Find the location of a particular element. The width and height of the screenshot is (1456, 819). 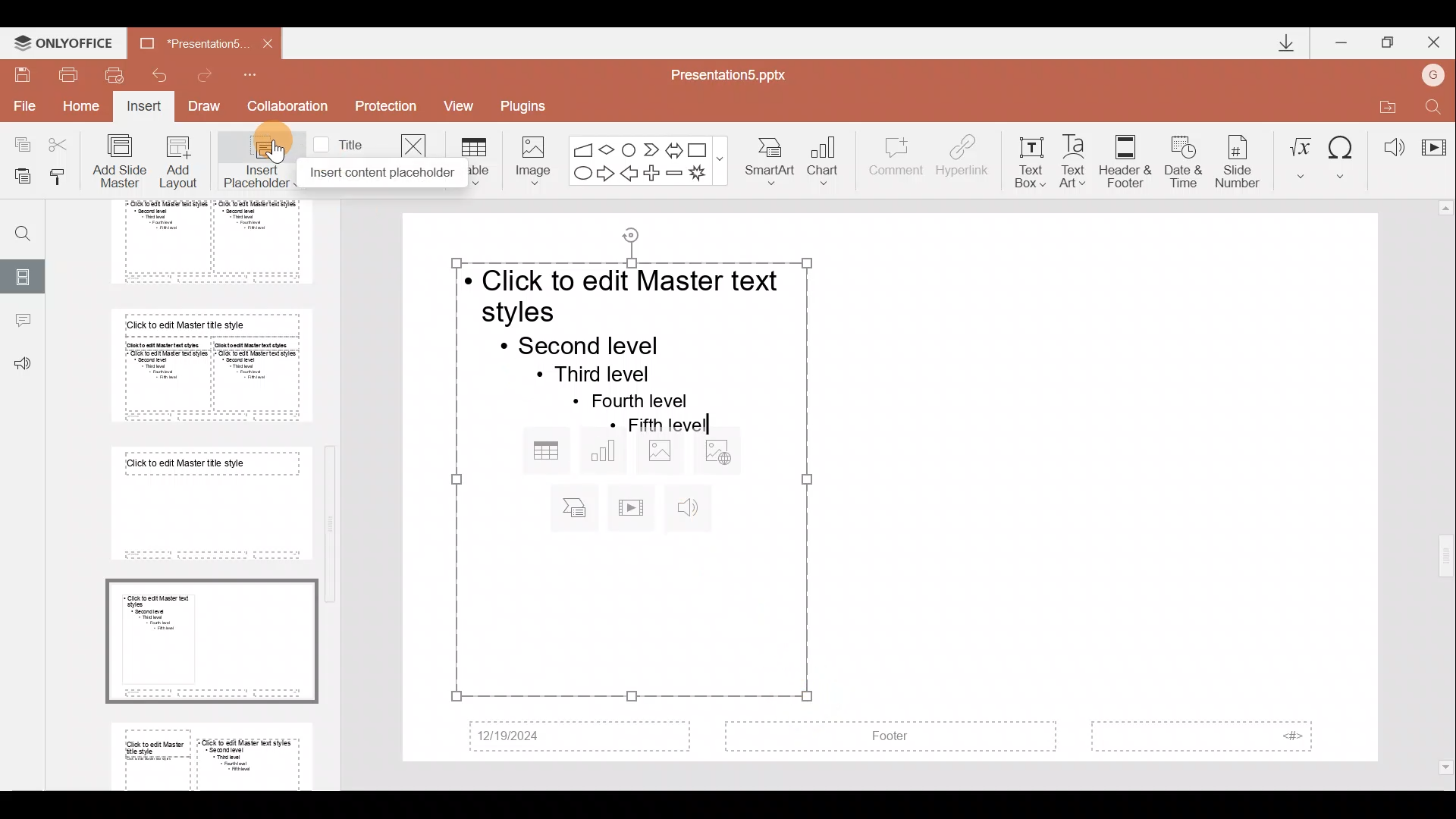

Draw is located at coordinates (209, 108).